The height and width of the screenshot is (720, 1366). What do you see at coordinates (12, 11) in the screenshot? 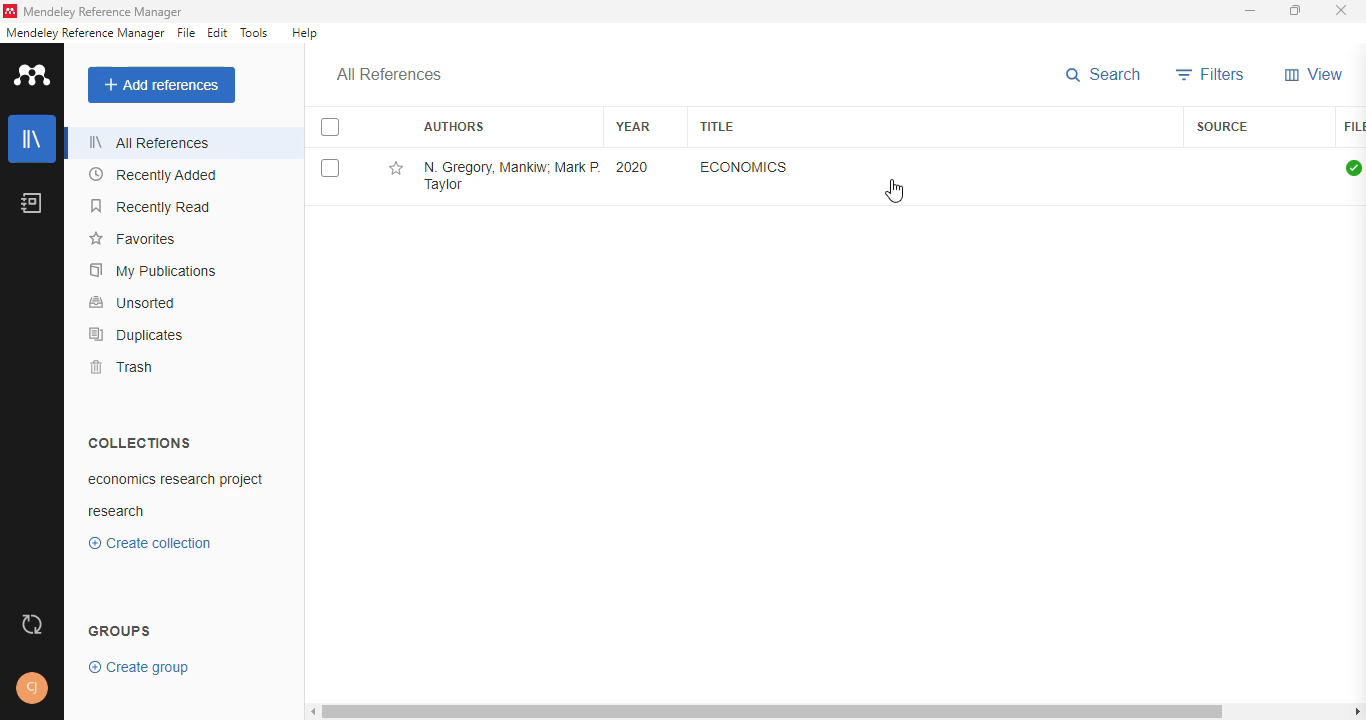
I see `logo` at bounding box center [12, 11].